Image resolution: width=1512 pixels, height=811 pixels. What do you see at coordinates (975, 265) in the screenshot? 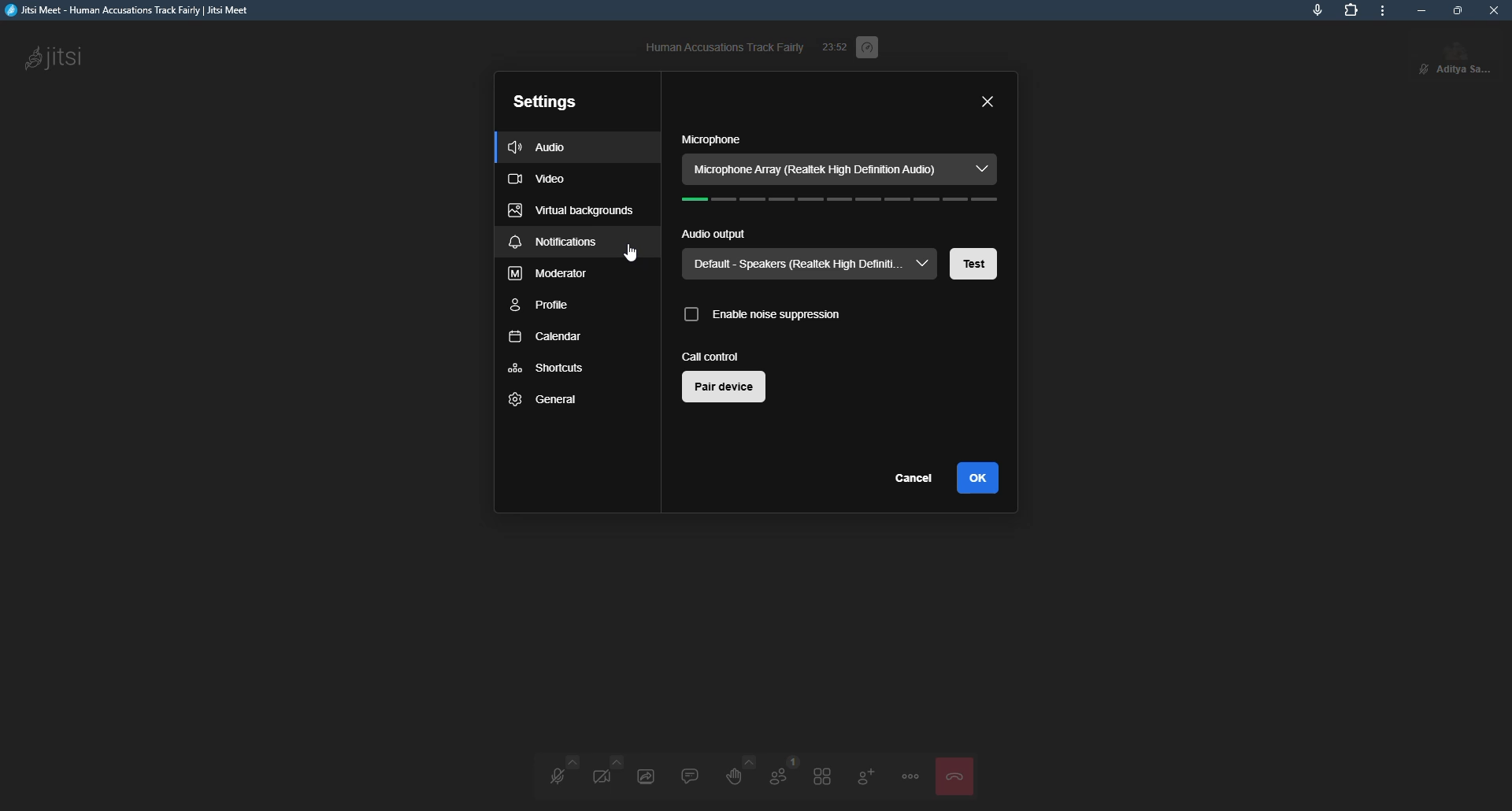
I see `test` at bounding box center [975, 265].